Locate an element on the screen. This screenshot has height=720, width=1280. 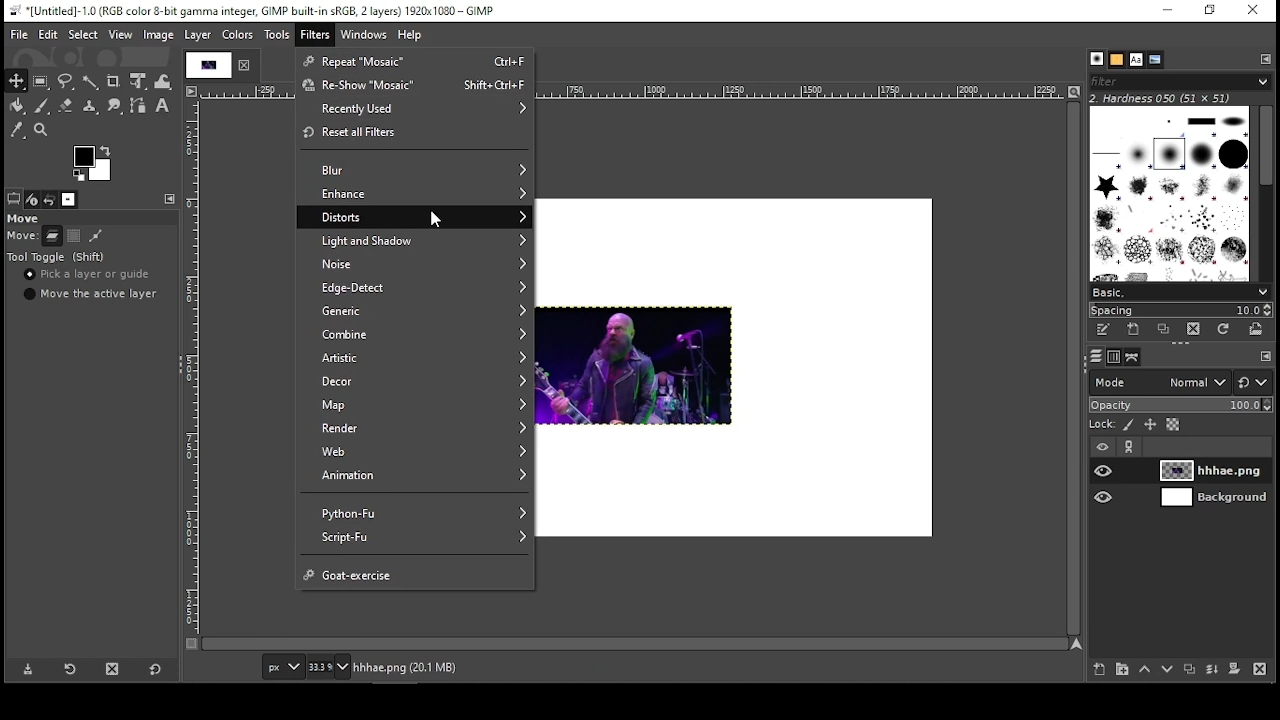
*[Untitled]-10.0 (RGB color 8-bit gamma integer, GIMP built-in sRGB, 2 layers) 1920x1080 — GIMP is located at coordinates (253, 10).